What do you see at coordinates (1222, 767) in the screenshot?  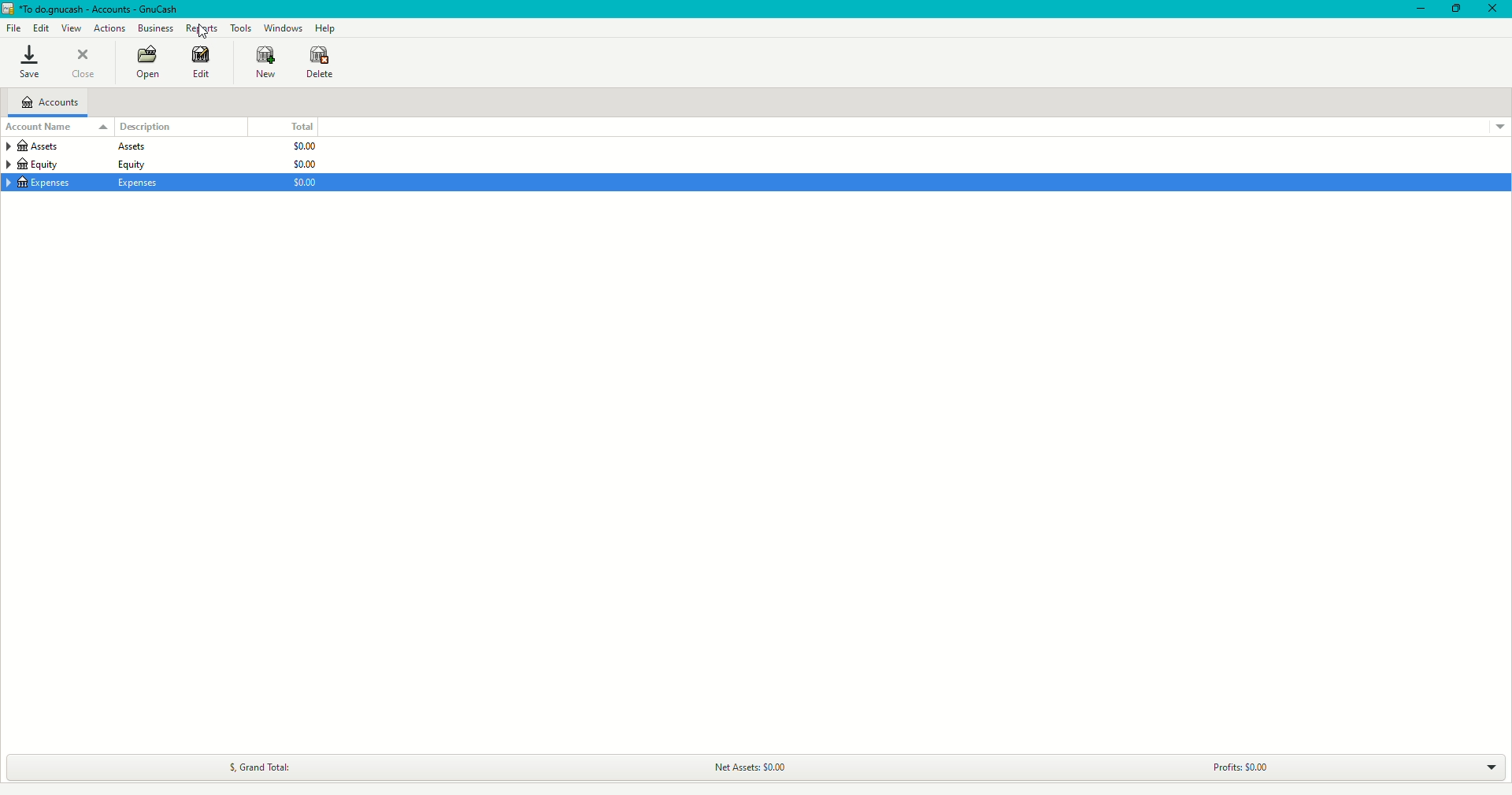 I see `Profits` at bounding box center [1222, 767].